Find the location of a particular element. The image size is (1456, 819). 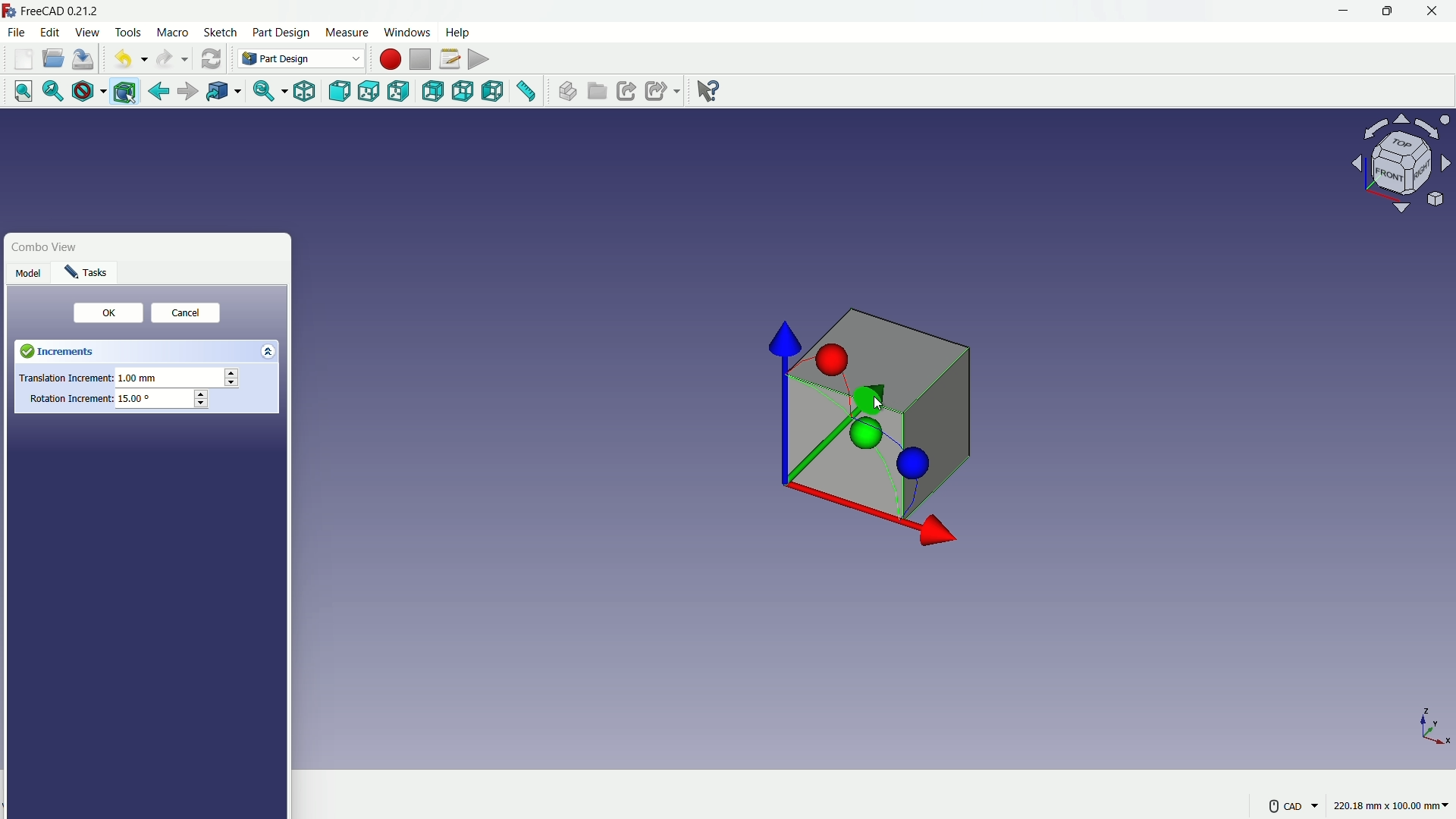

Part Design is located at coordinates (301, 58).